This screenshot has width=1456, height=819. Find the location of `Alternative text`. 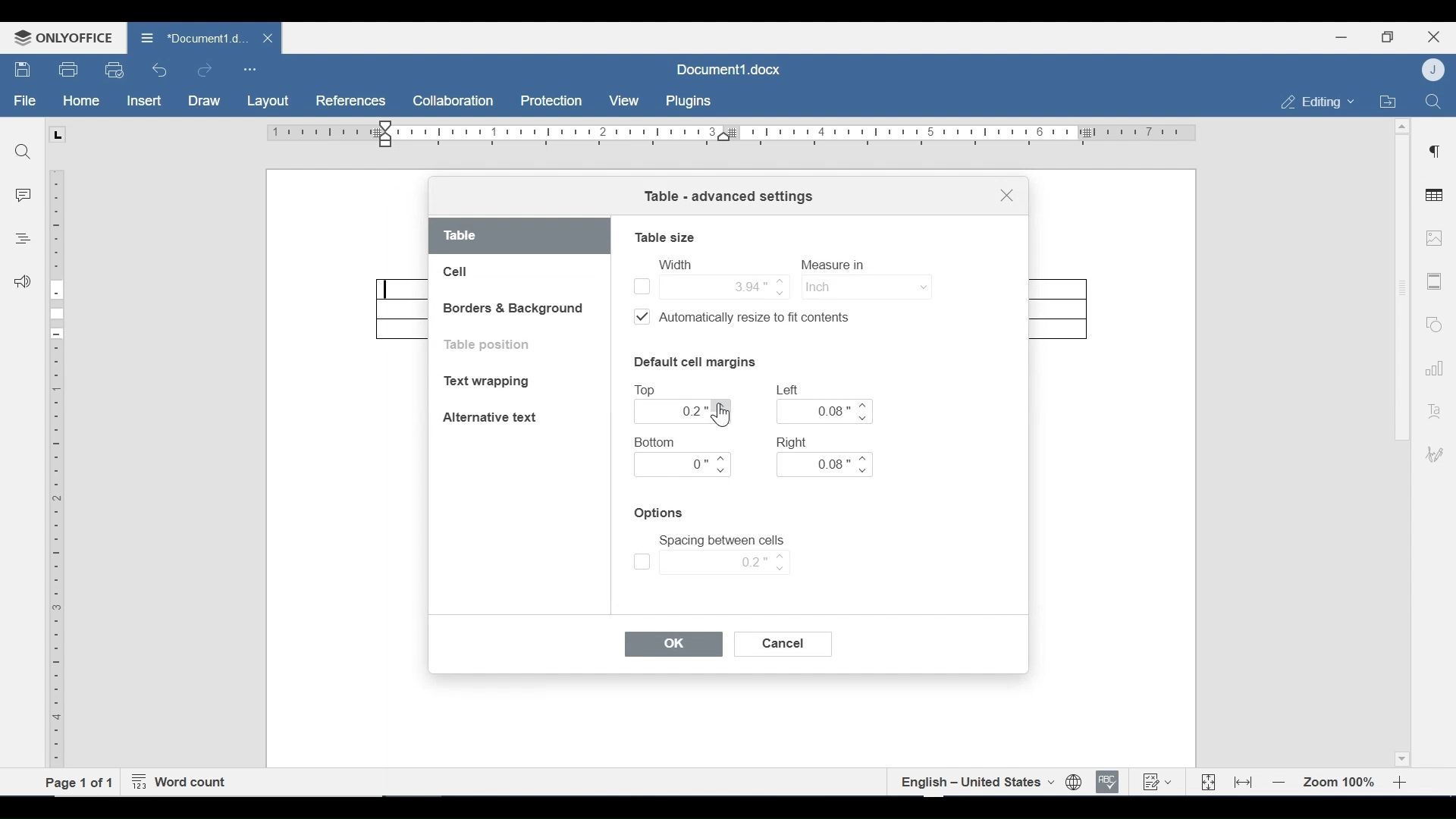

Alternative text is located at coordinates (490, 417).